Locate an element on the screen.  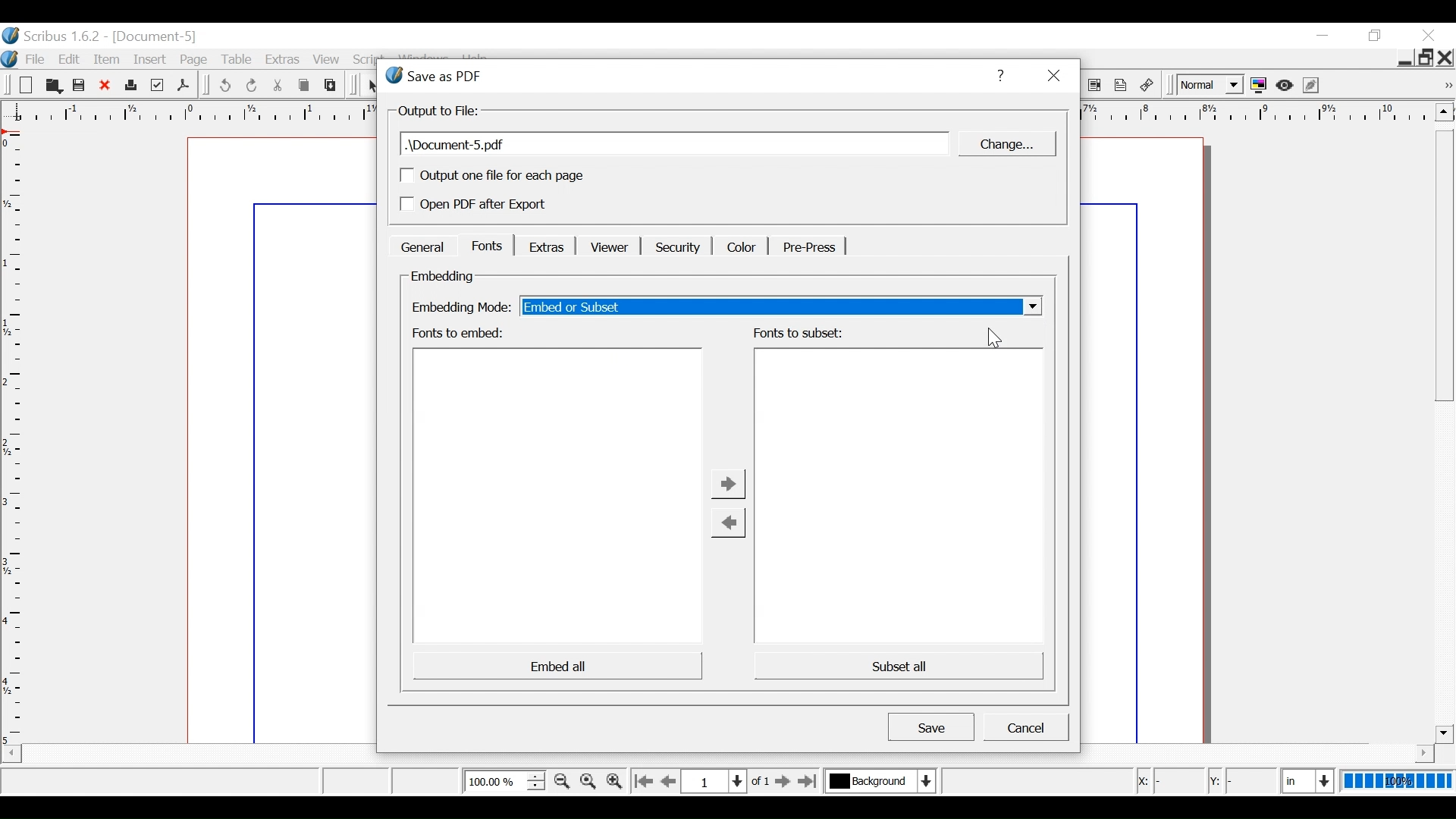
Restore is located at coordinates (1425, 58).